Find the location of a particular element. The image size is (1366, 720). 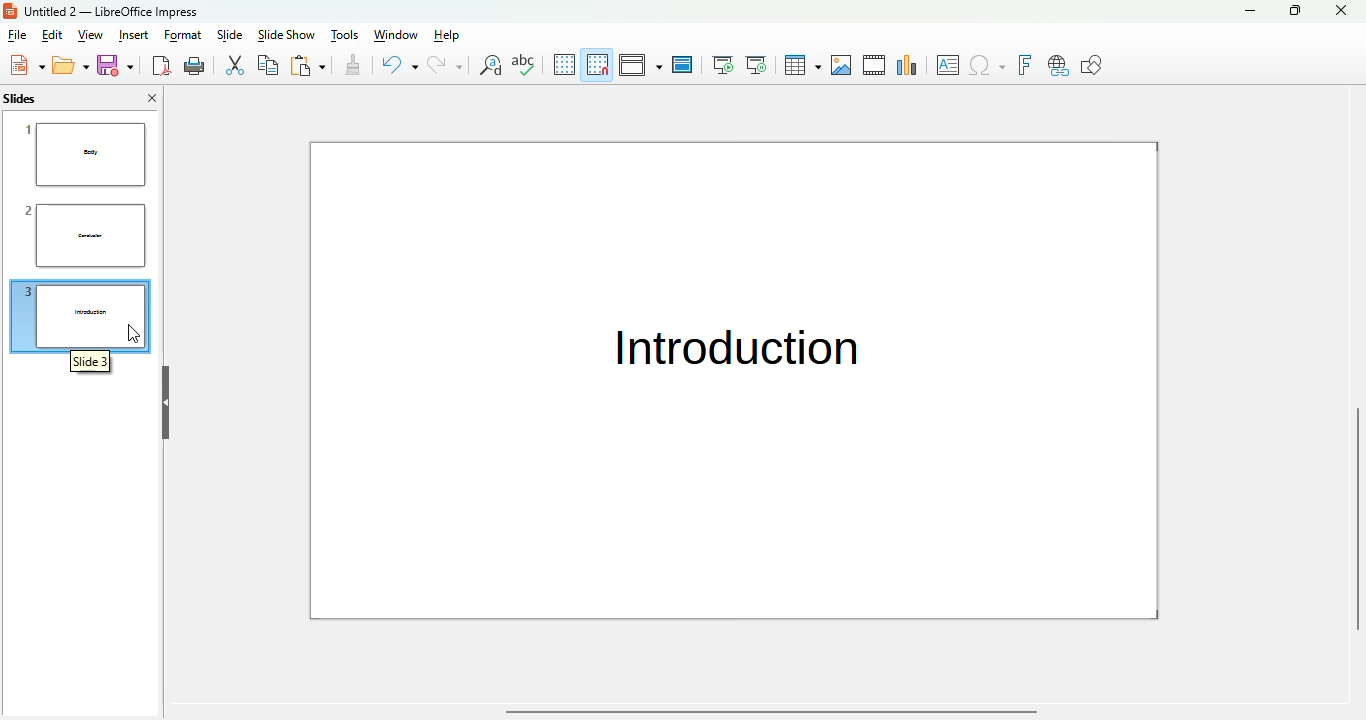

start from current slide is located at coordinates (756, 65).